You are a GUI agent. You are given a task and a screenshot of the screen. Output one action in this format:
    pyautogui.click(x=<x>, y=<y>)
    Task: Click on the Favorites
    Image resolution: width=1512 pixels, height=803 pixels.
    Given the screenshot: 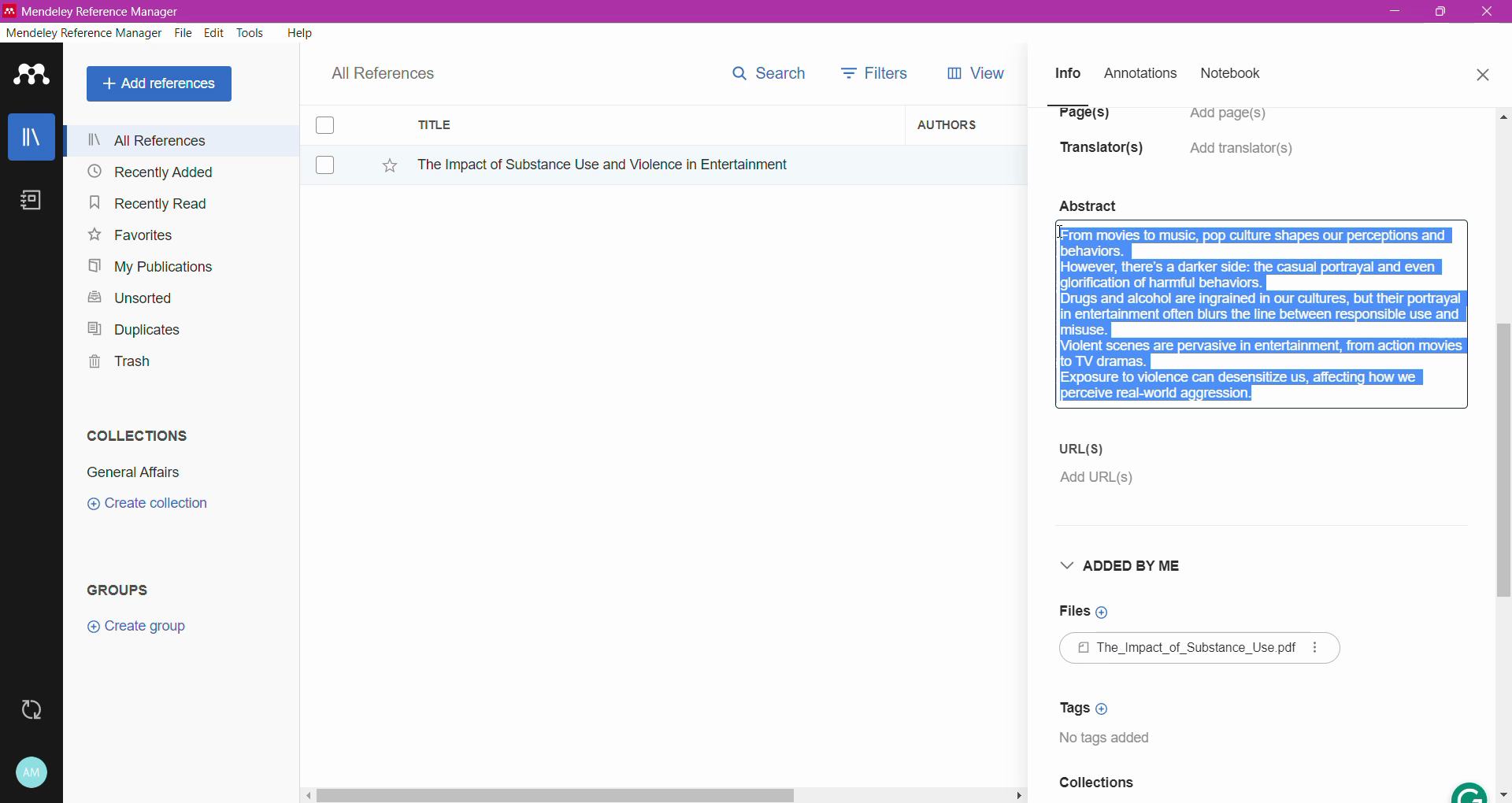 What is the action you would take?
    pyautogui.click(x=129, y=235)
    